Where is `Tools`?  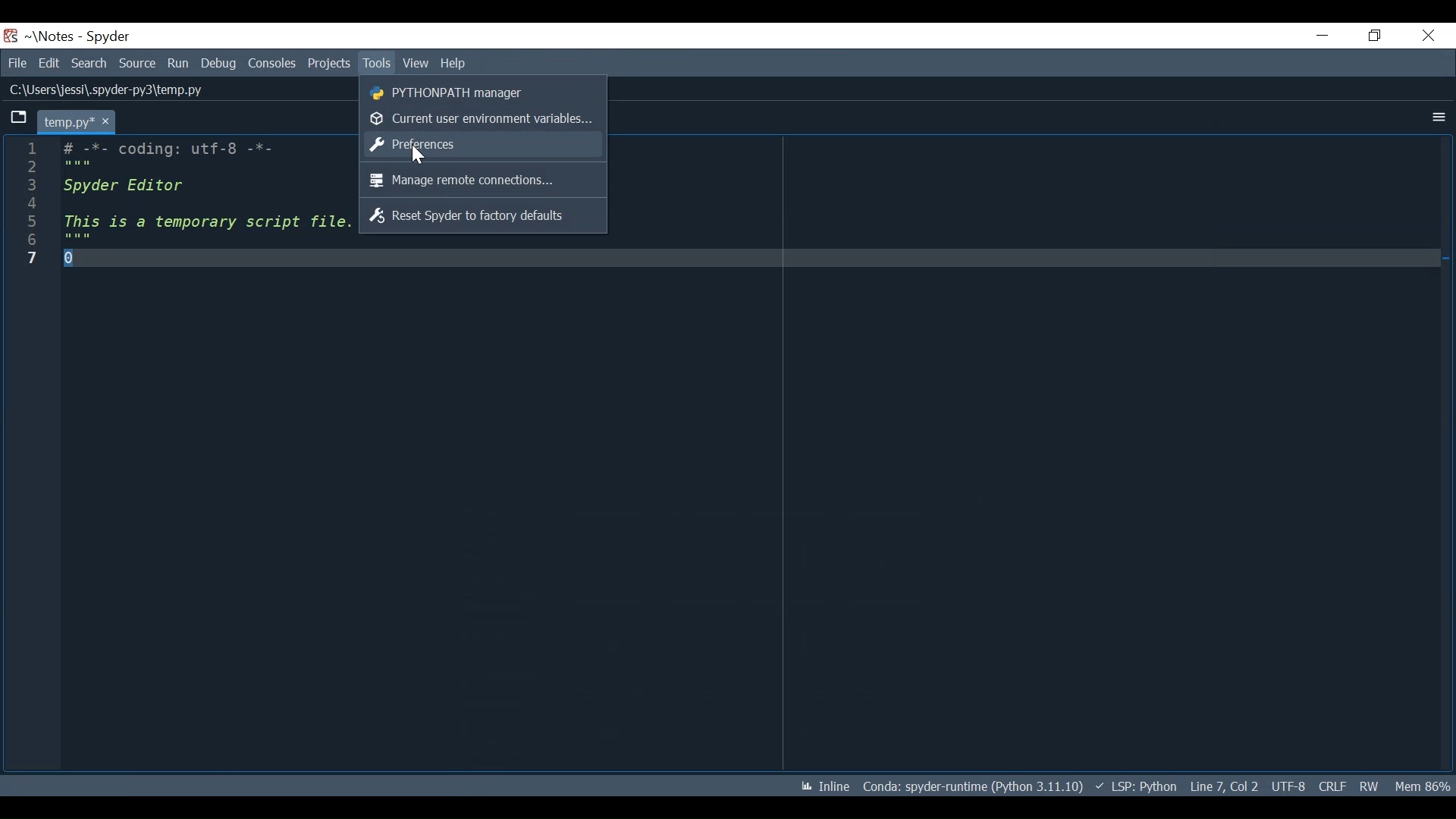 Tools is located at coordinates (378, 64).